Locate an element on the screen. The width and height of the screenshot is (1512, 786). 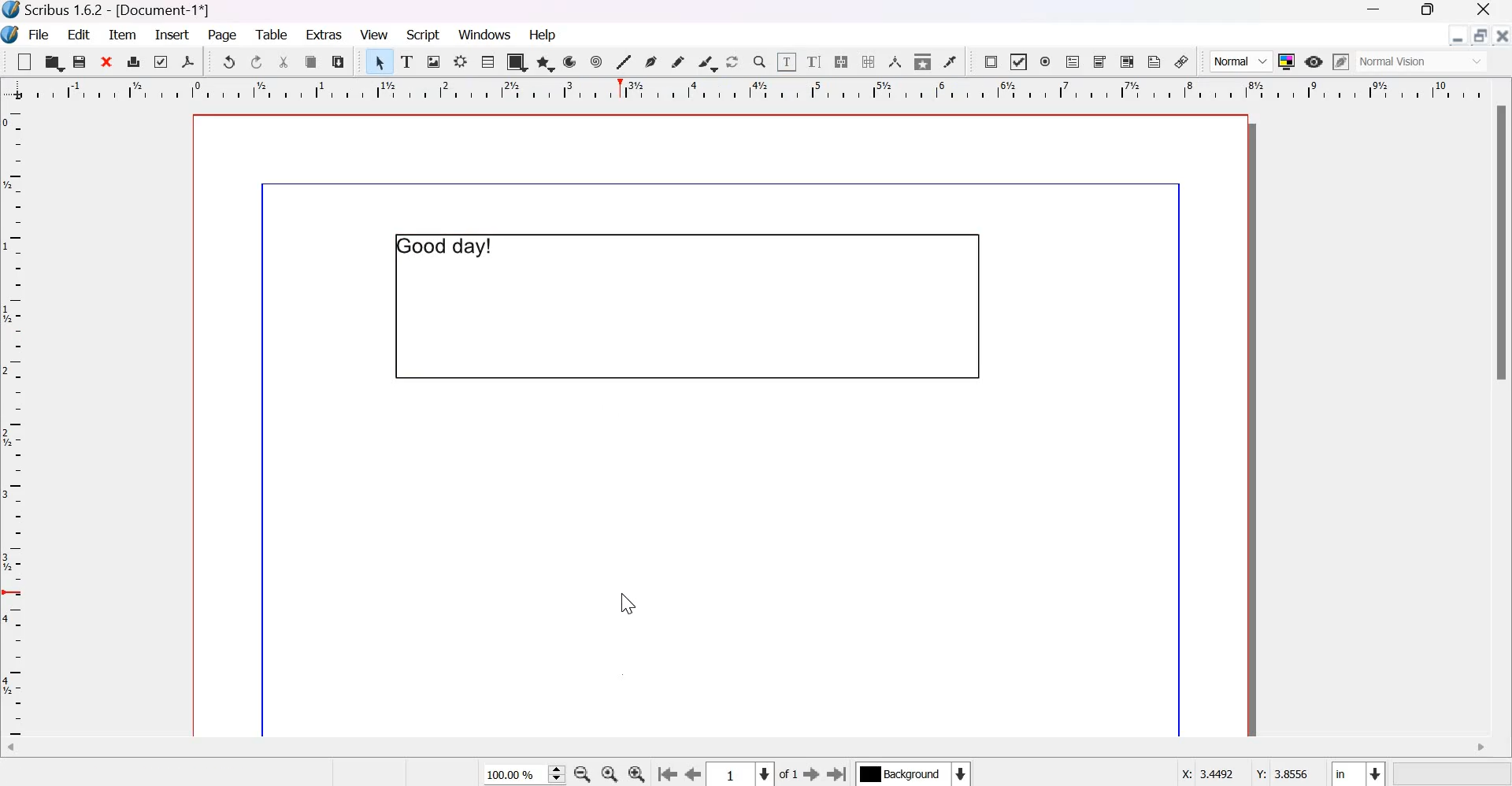
measurements is located at coordinates (895, 61).